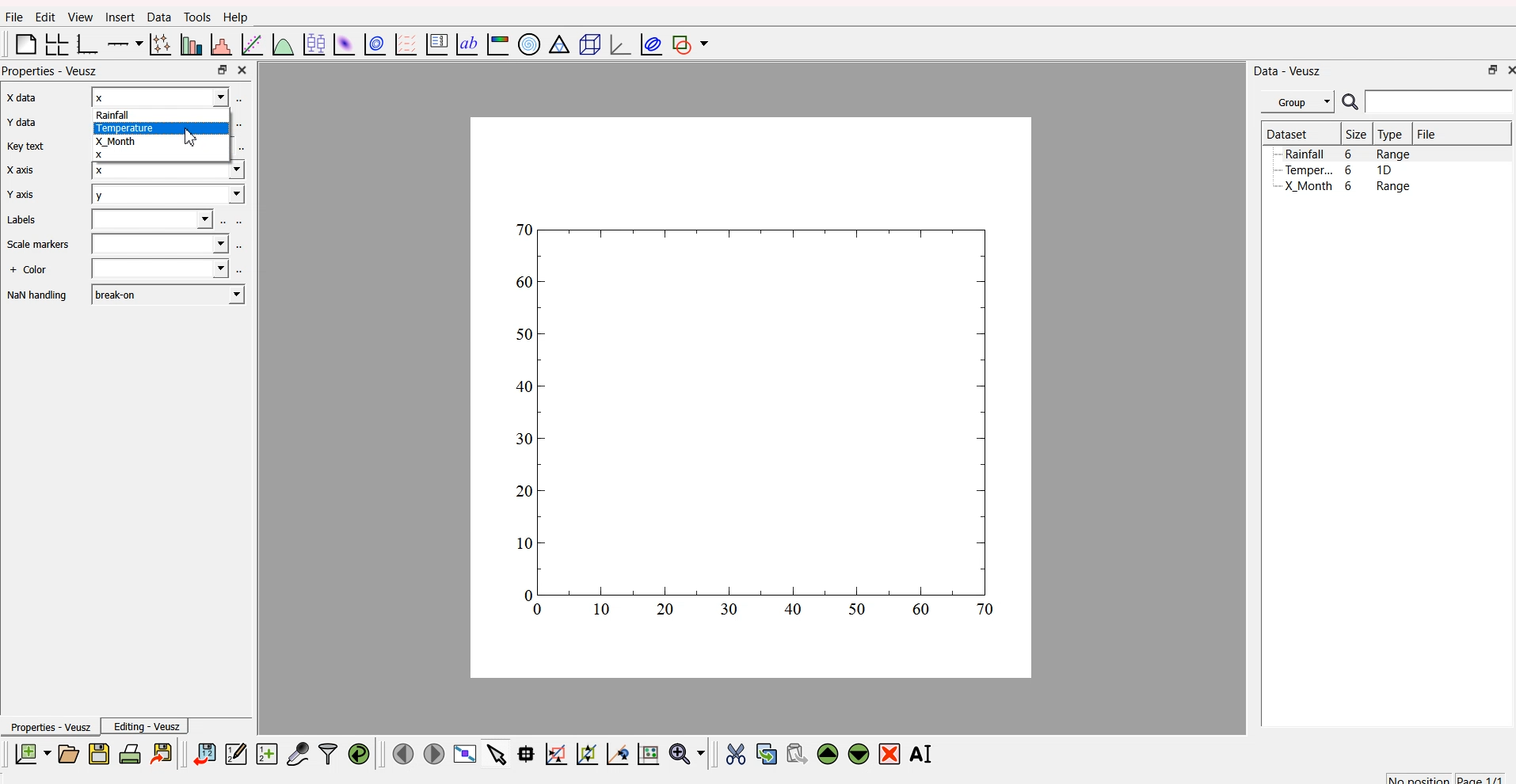 The image size is (1516, 784). What do you see at coordinates (283, 45) in the screenshot?
I see `plot function` at bounding box center [283, 45].